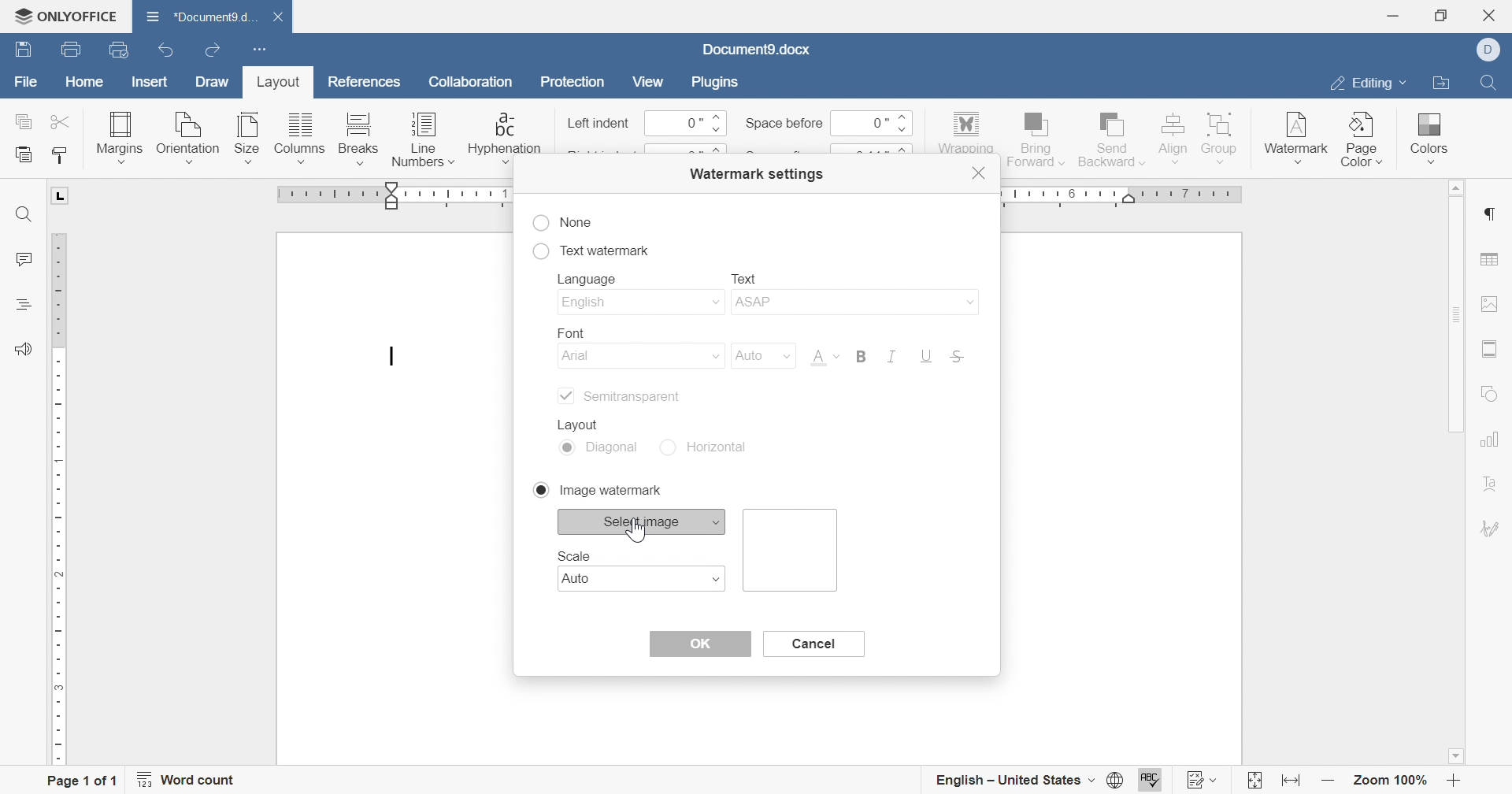 This screenshot has width=1512, height=794. Describe the element at coordinates (711, 447) in the screenshot. I see `horizontal` at that location.